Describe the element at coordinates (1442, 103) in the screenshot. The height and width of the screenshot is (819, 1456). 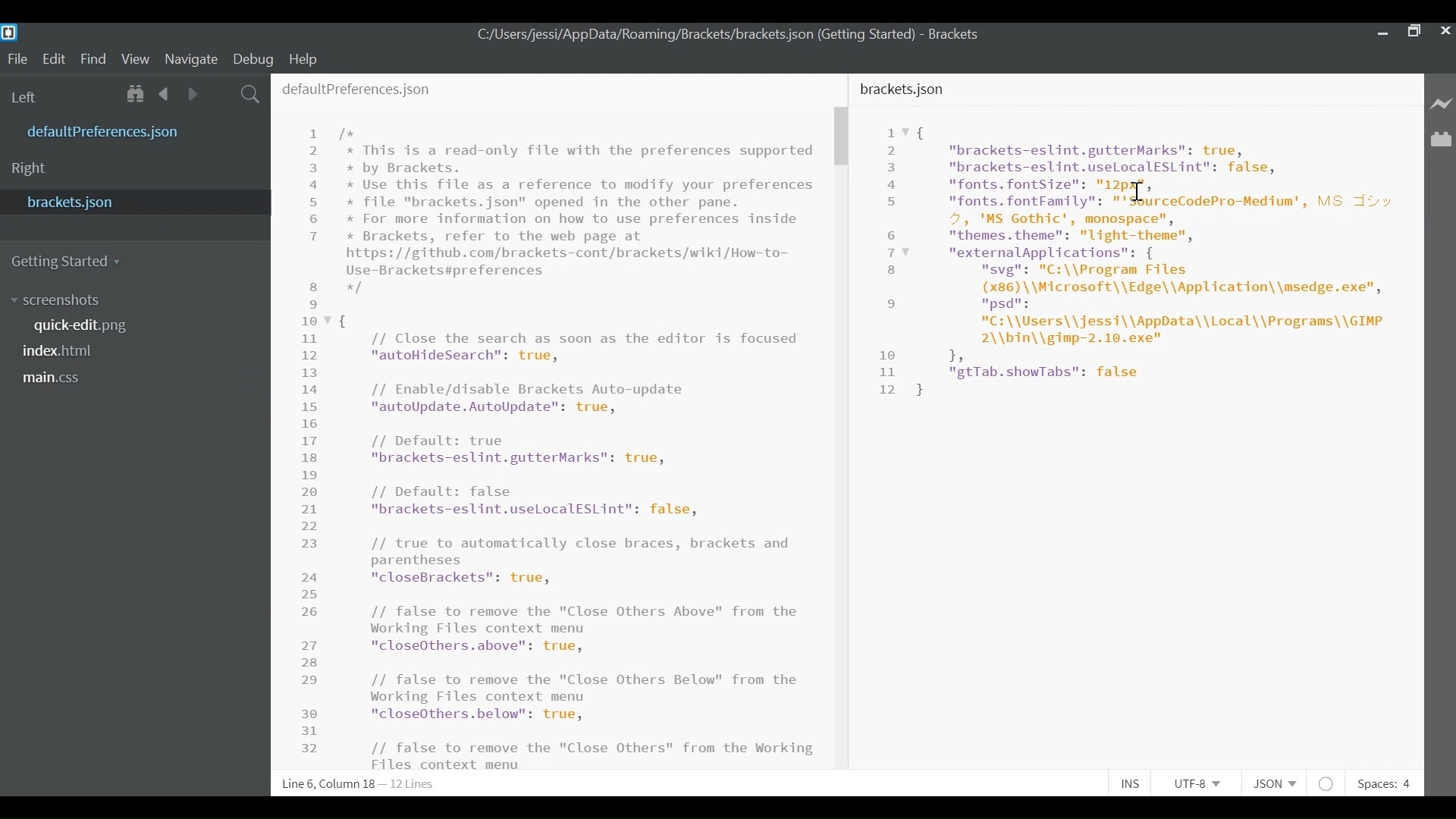
I see `Live Preview` at that location.